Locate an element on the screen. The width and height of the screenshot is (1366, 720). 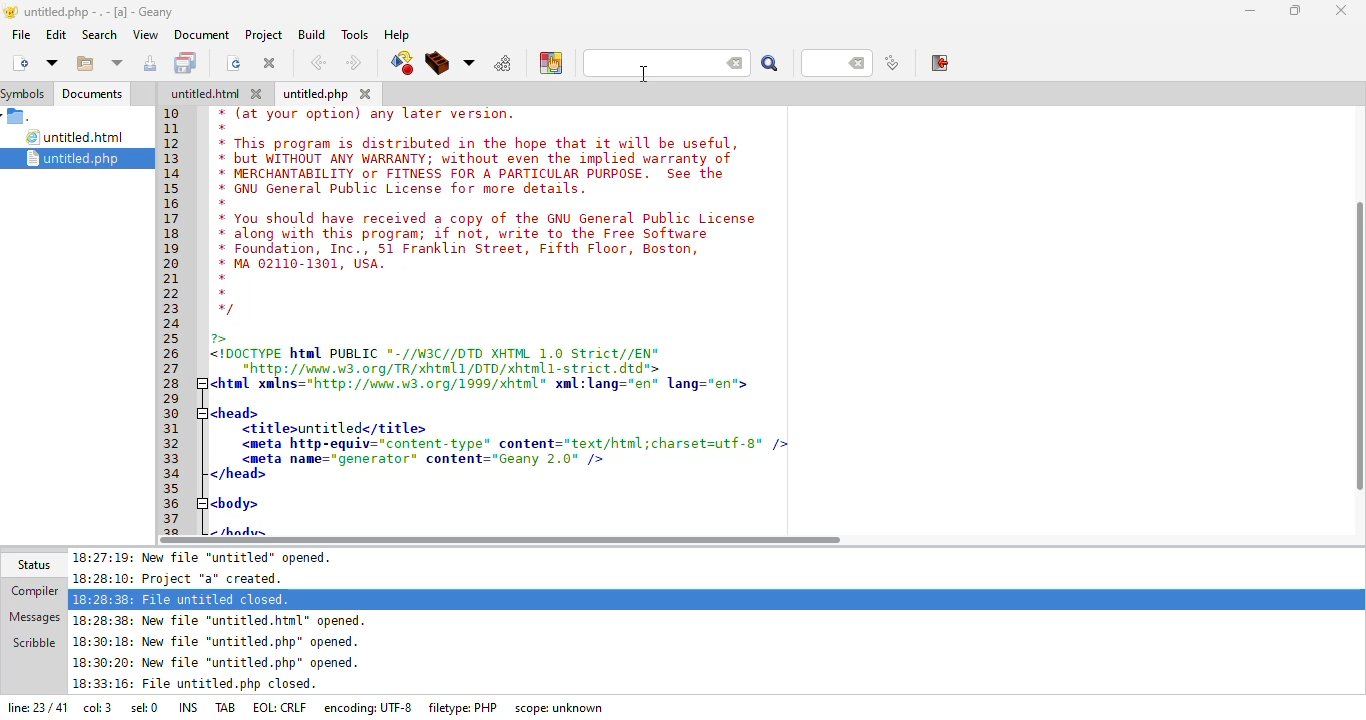
project is located at coordinates (261, 34).